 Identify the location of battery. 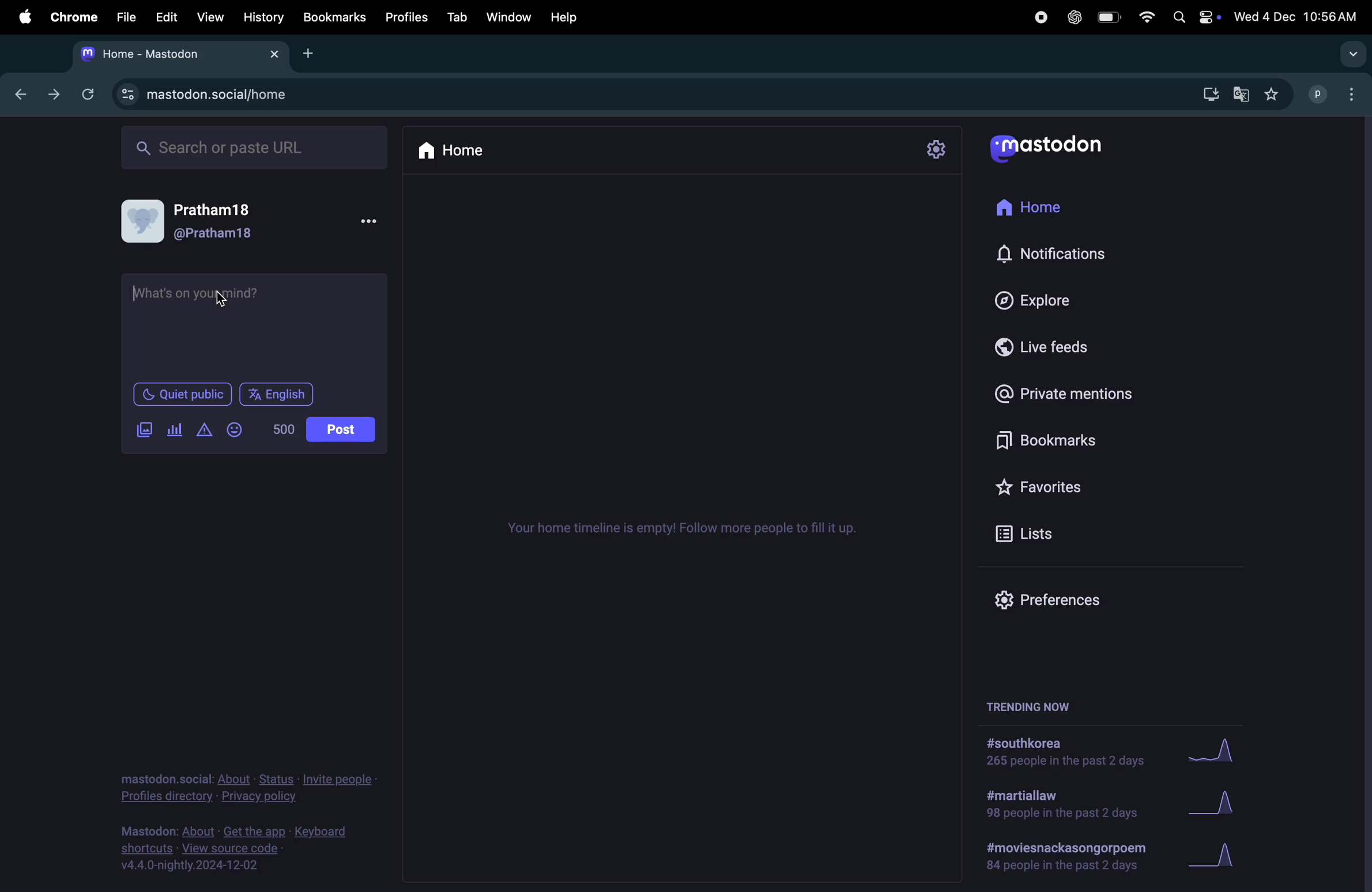
(1105, 16).